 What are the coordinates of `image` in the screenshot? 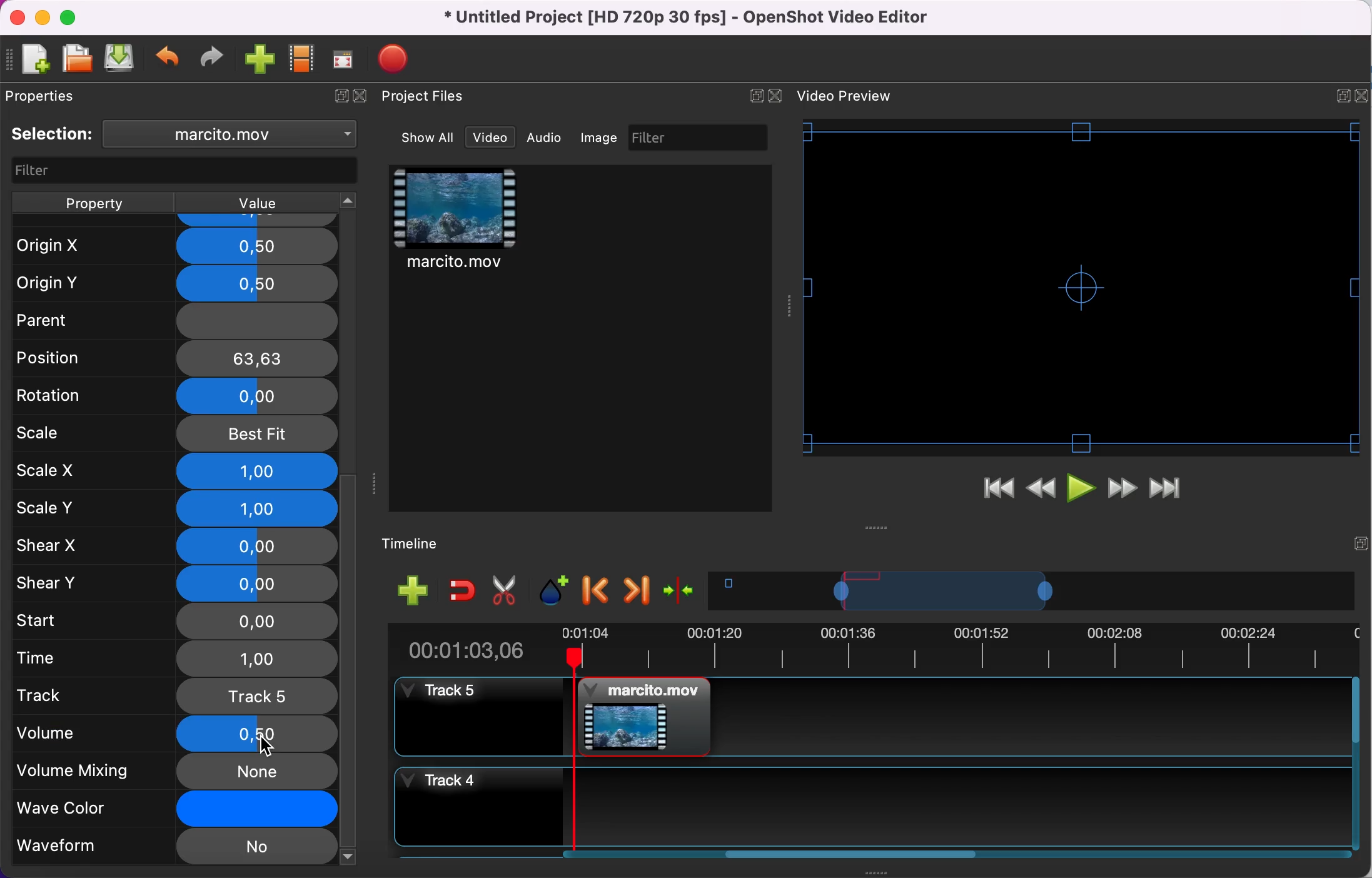 It's located at (600, 138).